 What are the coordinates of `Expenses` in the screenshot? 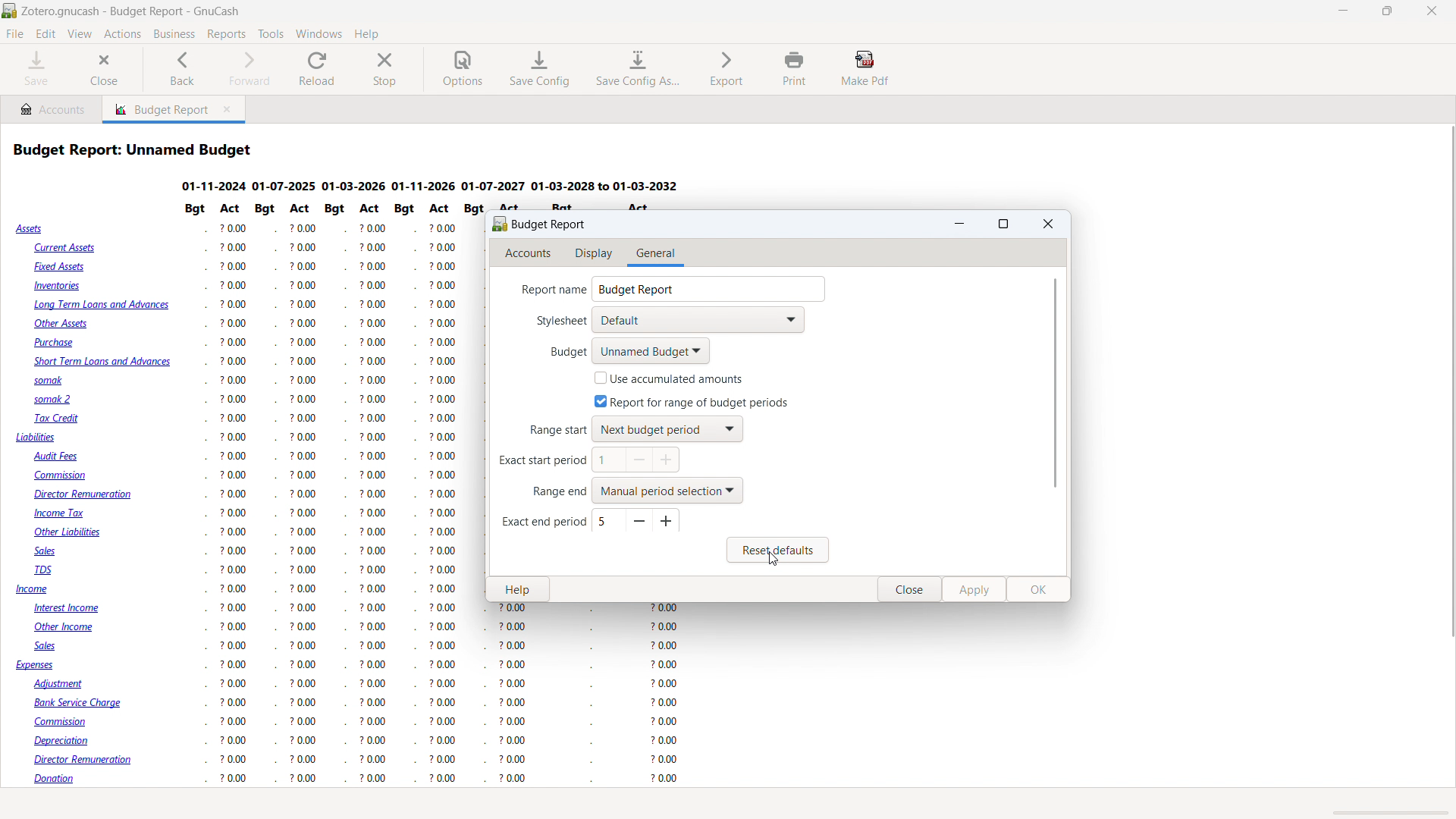 It's located at (36, 667).